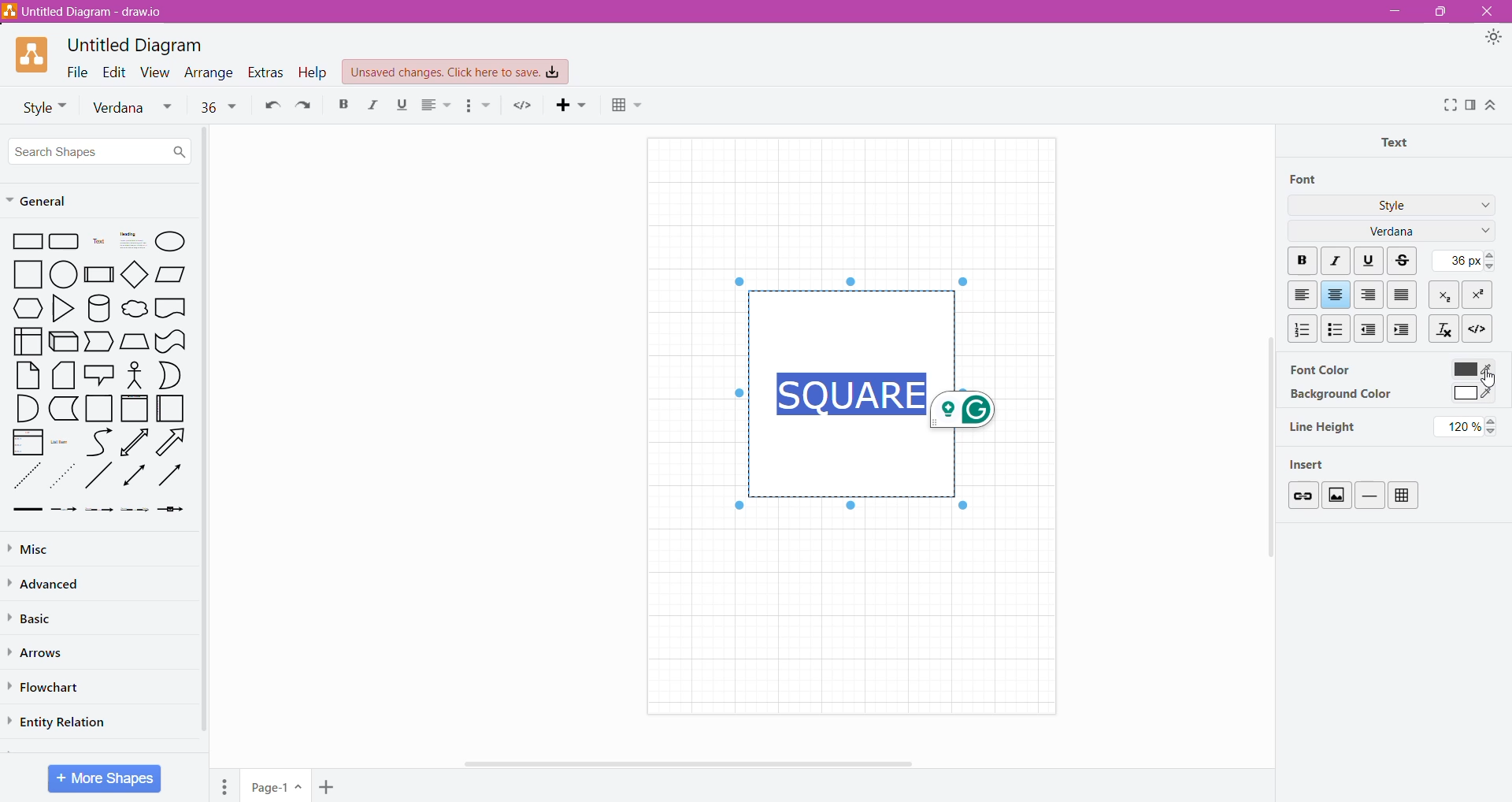 This screenshot has height=802, width=1512. What do you see at coordinates (1471, 369) in the screenshot?
I see `Click to select Font Color` at bounding box center [1471, 369].